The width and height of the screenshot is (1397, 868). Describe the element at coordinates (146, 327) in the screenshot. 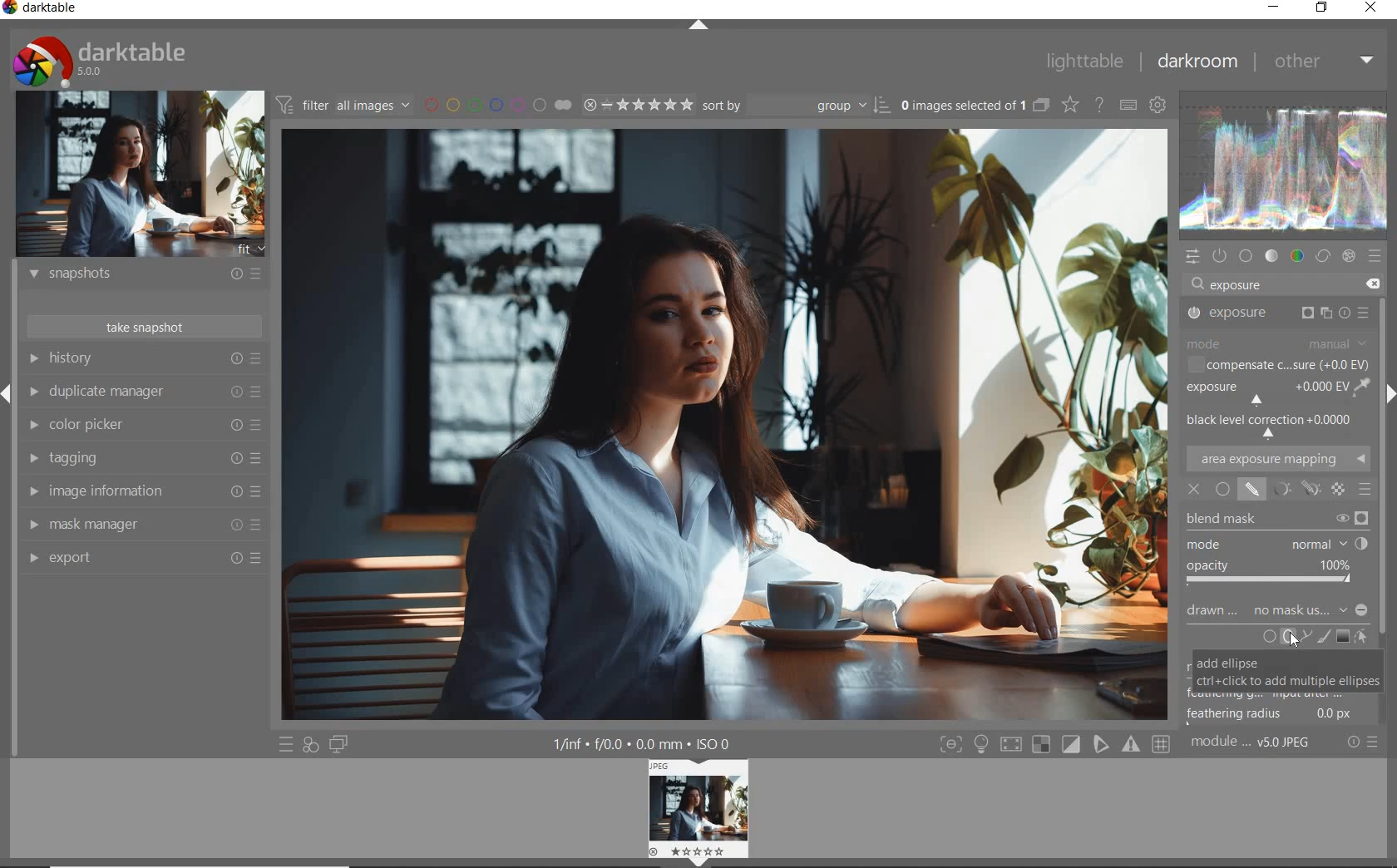

I see `take snapshot` at that location.